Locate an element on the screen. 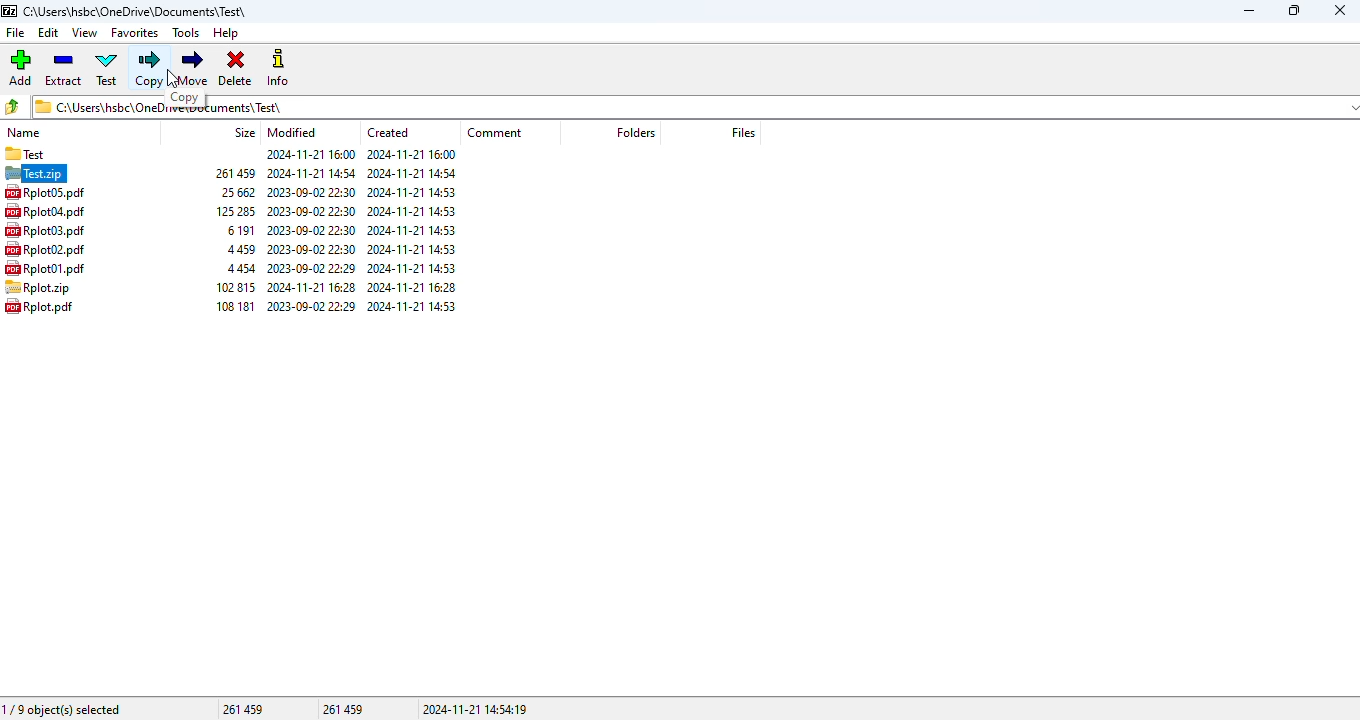 The image size is (1360, 720). file name is located at coordinates (44, 211).